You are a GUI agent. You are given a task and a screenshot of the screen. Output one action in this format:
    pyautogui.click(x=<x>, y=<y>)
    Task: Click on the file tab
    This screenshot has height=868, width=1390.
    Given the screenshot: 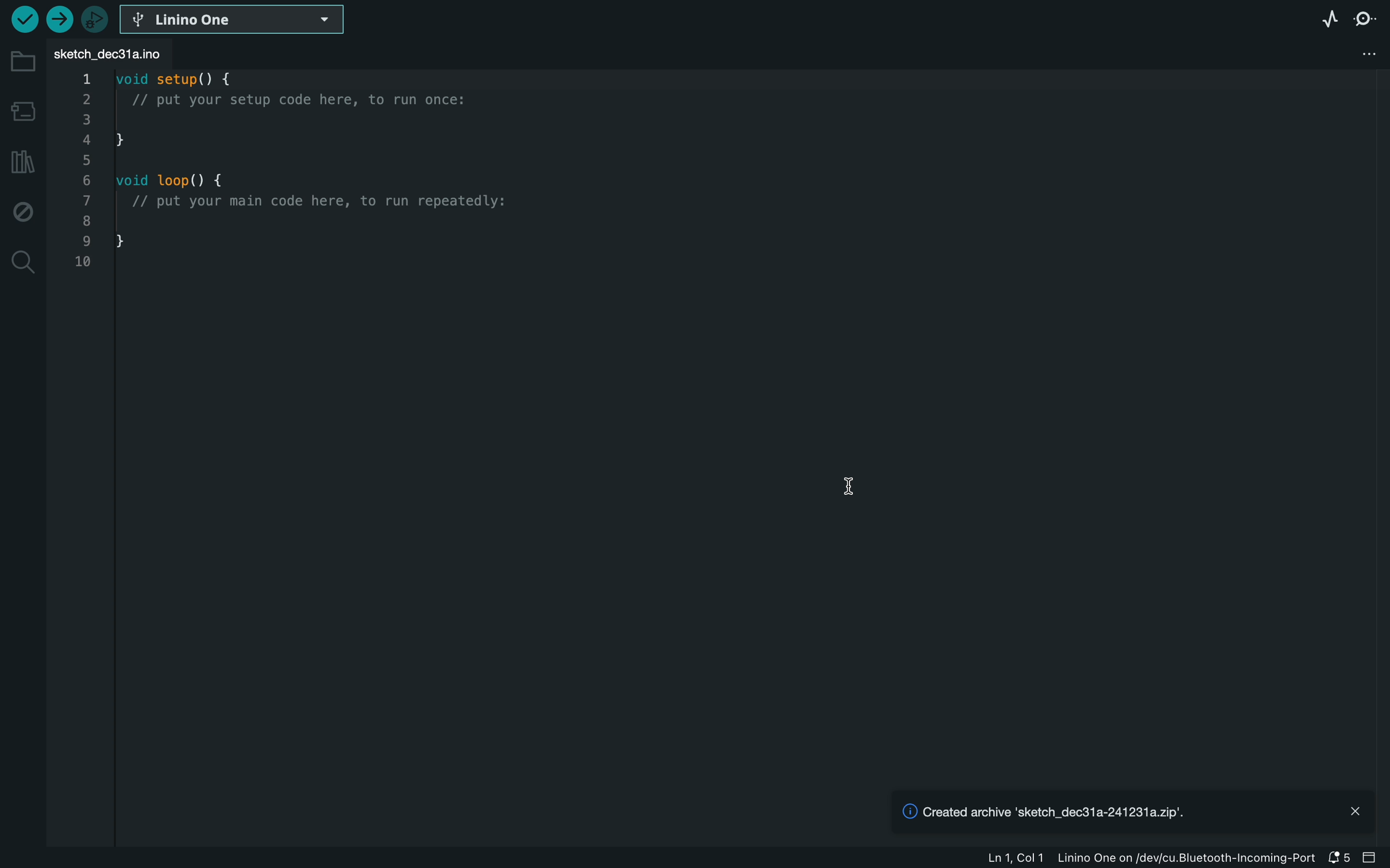 What is the action you would take?
    pyautogui.click(x=115, y=54)
    